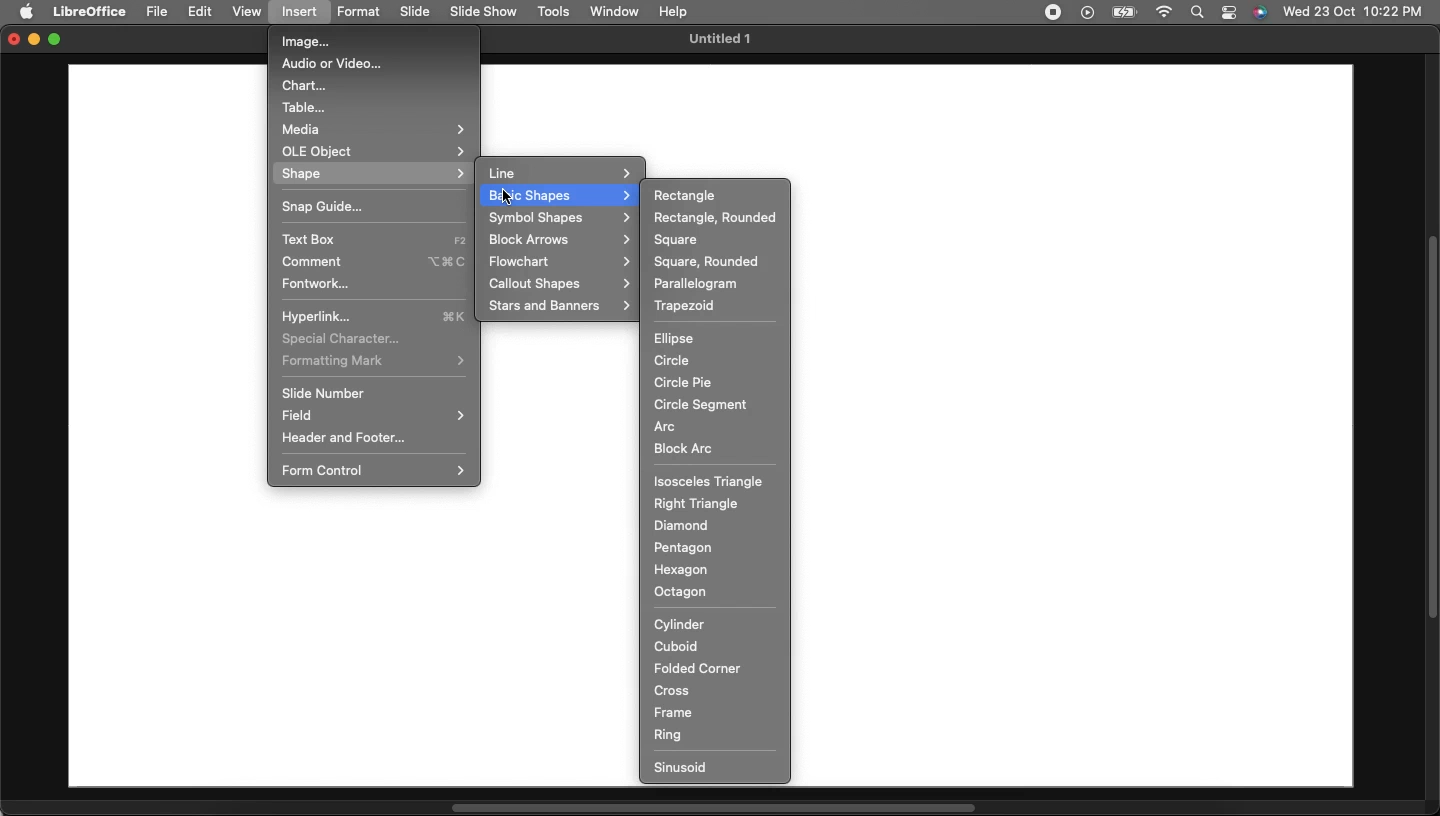  What do you see at coordinates (373, 360) in the screenshot?
I see `Formating mark` at bounding box center [373, 360].